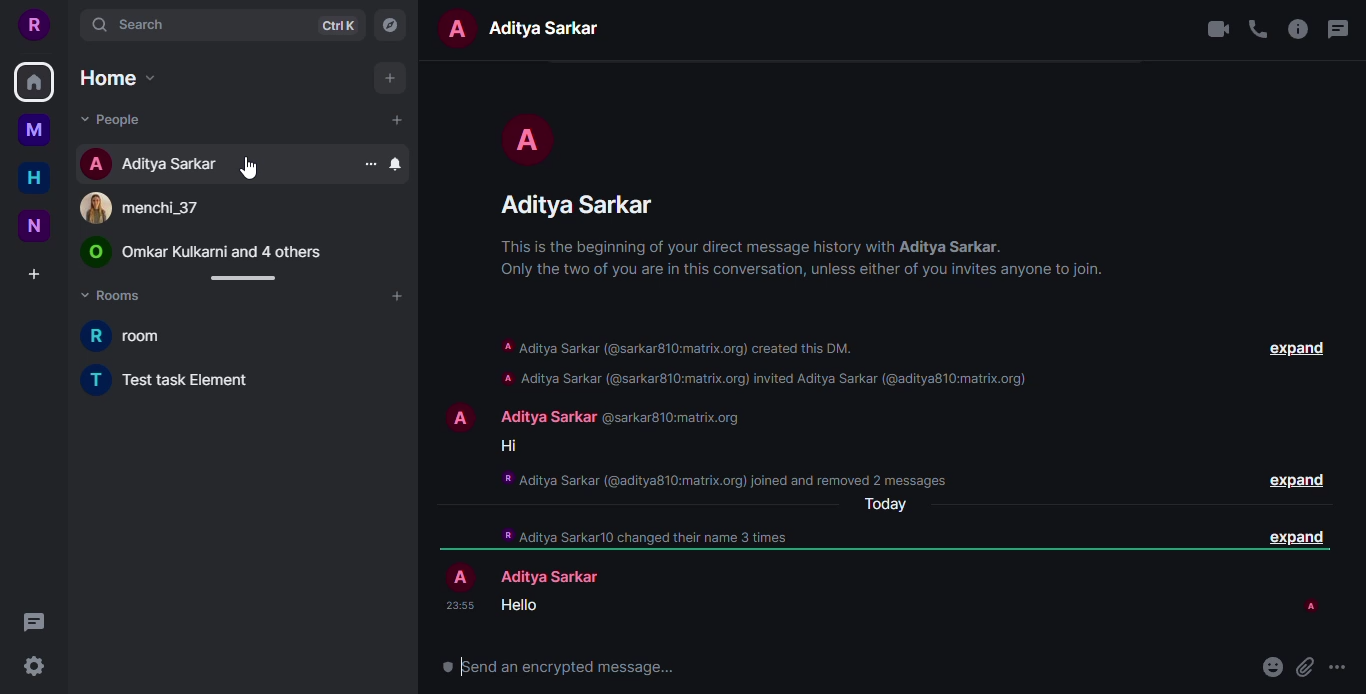  What do you see at coordinates (557, 25) in the screenshot?
I see `aditya sarkar` at bounding box center [557, 25].